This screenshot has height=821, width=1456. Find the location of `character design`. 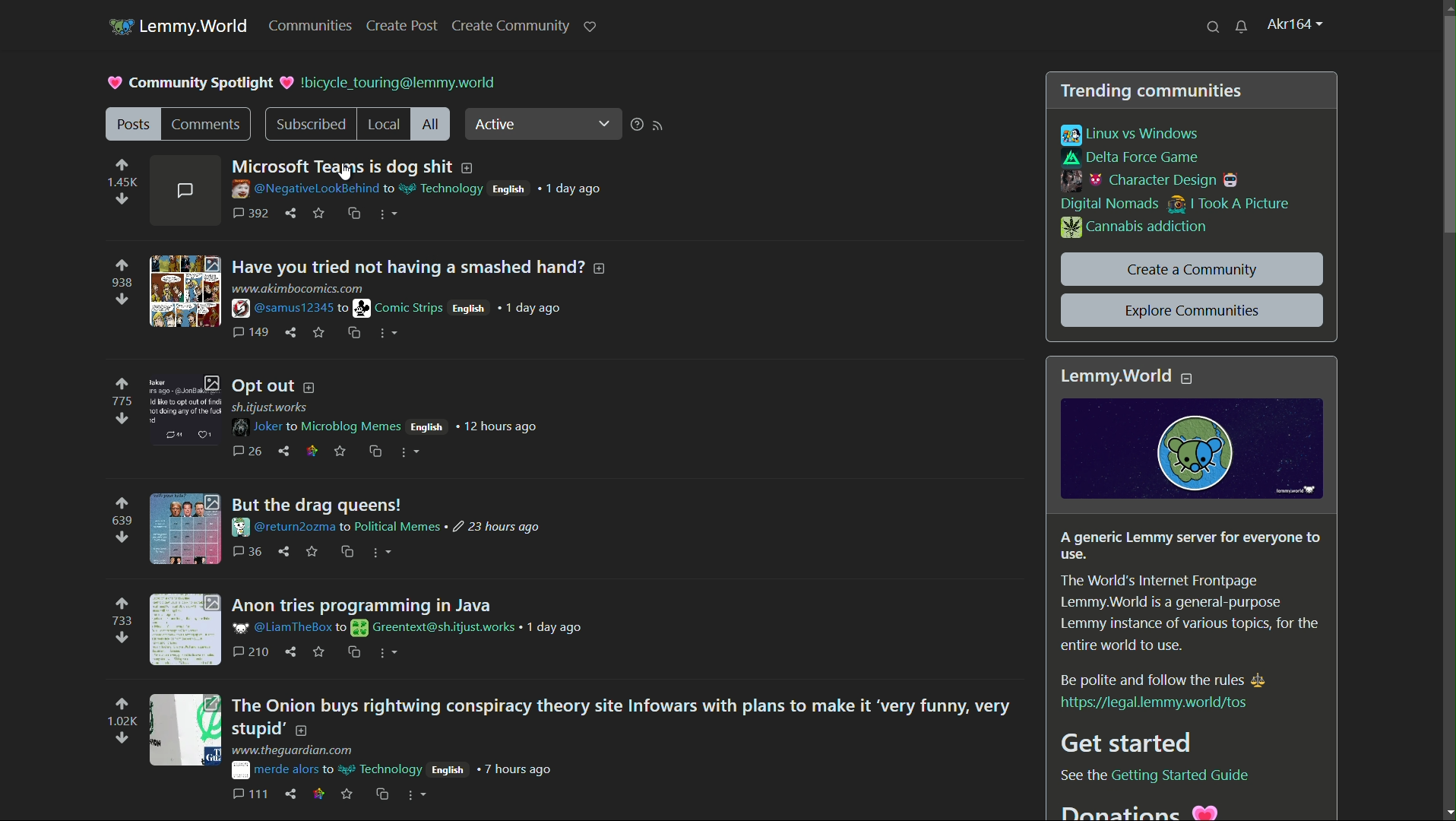

character design is located at coordinates (1155, 181).